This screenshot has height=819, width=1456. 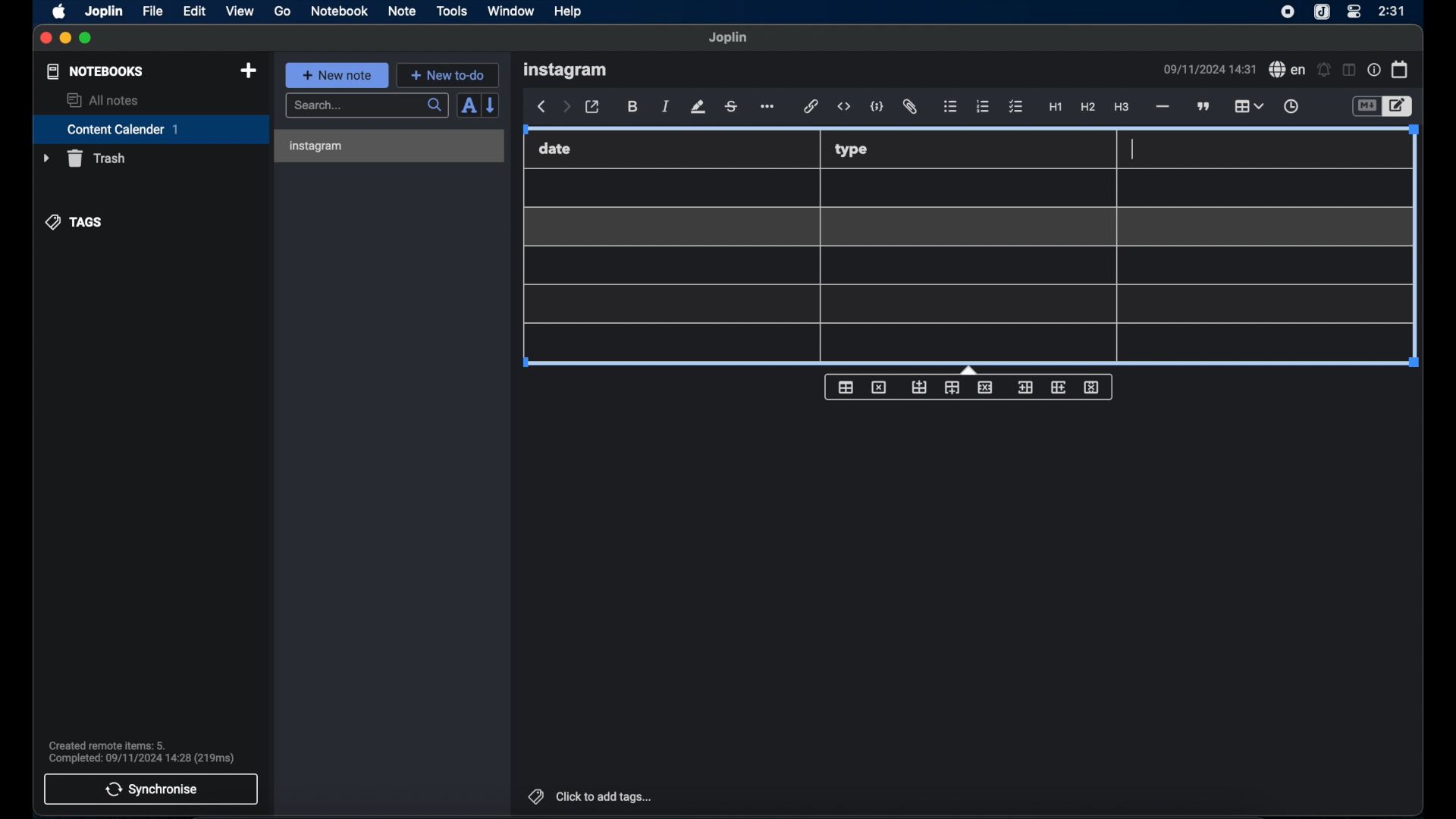 I want to click on Table, so click(x=966, y=262).